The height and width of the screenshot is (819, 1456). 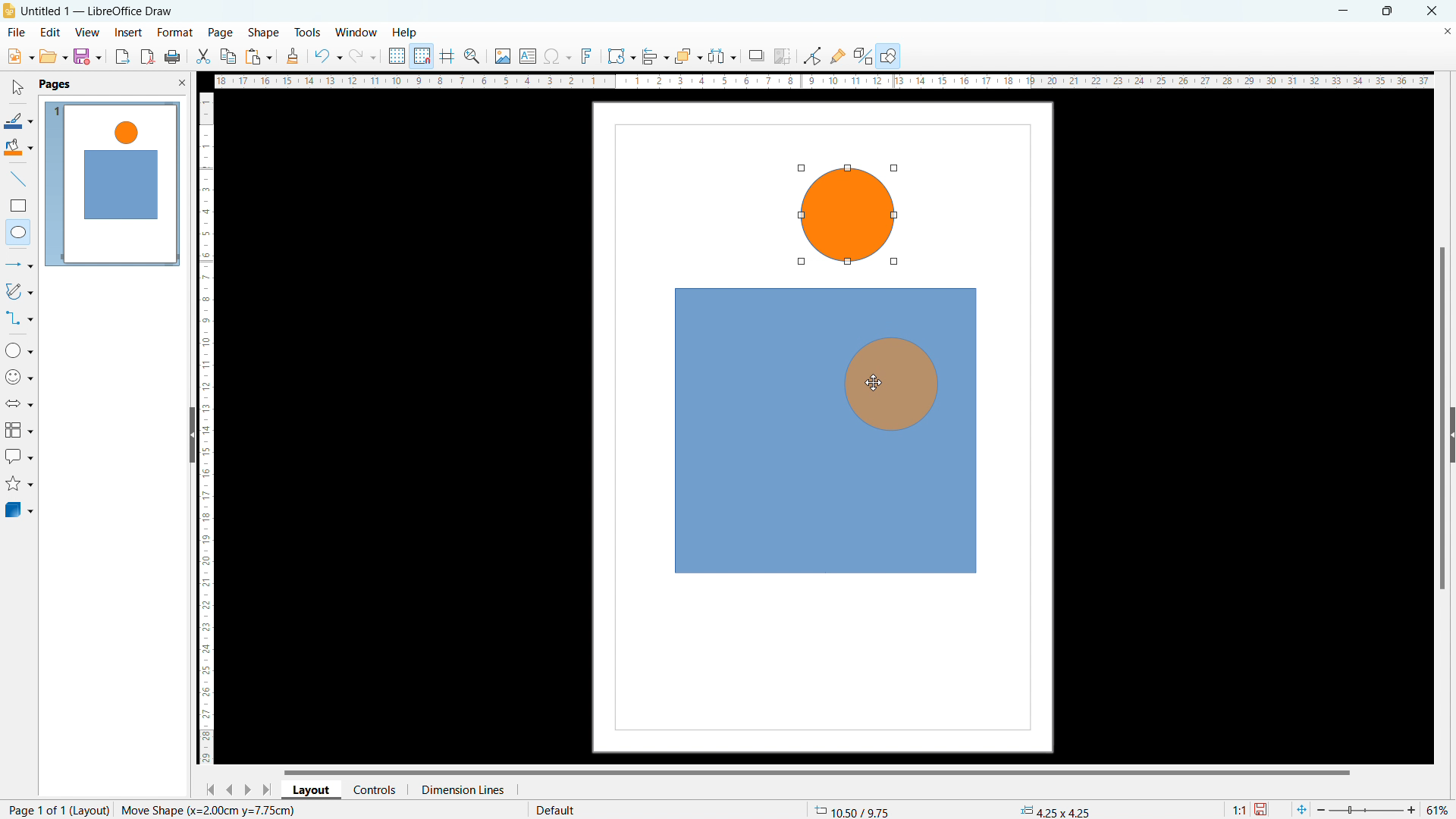 I want to click on cursor coordinates, so click(x=853, y=808).